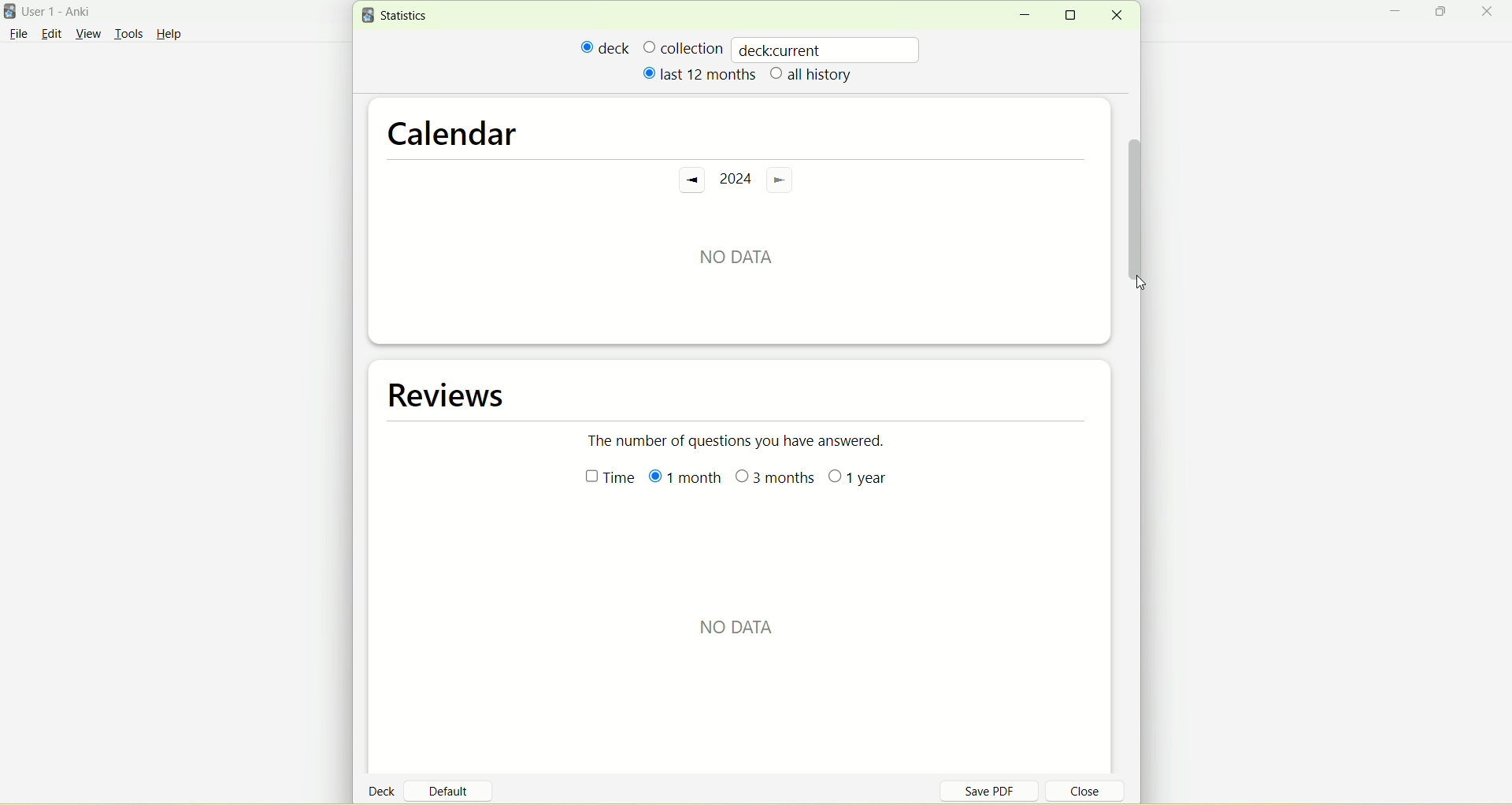 Image resolution: width=1512 pixels, height=805 pixels. What do you see at coordinates (1399, 13) in the screenshot?
I see `minimize` at bounding box center [1399, 13].